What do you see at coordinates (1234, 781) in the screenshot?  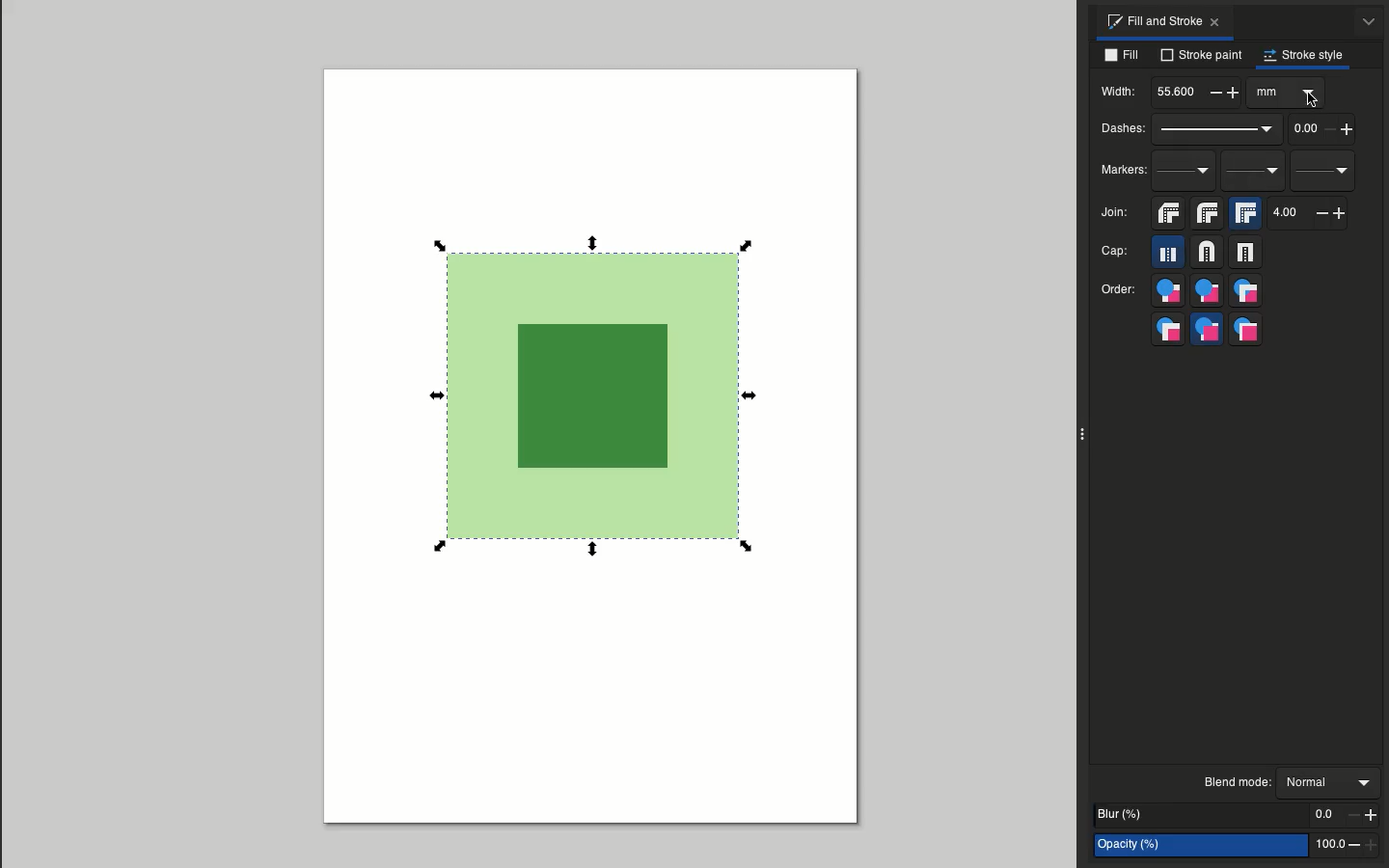 I see `Blend mode` at bounding box center [1234, 781].